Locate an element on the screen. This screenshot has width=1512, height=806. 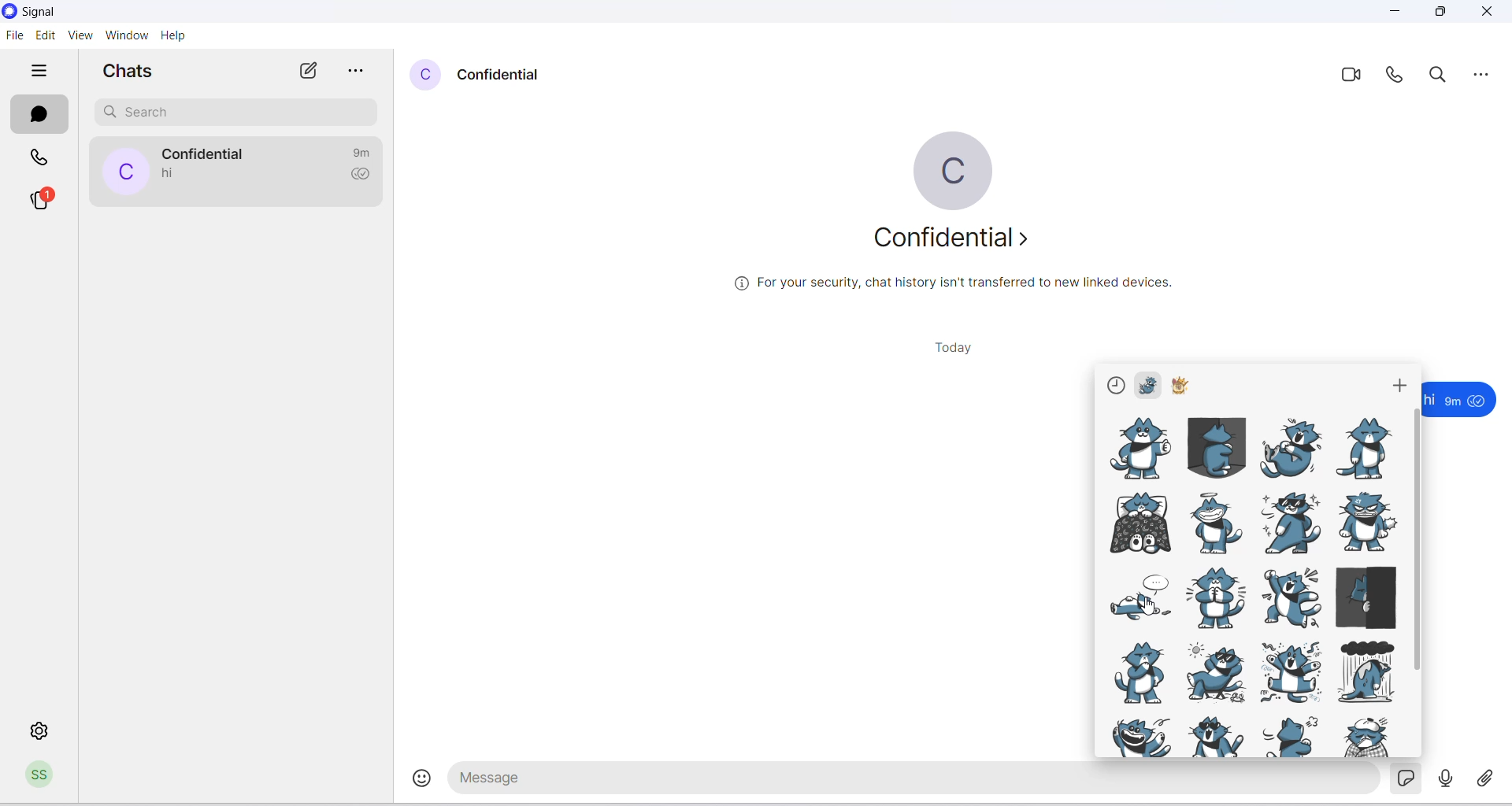
9 m is located at coordinates (1453, 401).